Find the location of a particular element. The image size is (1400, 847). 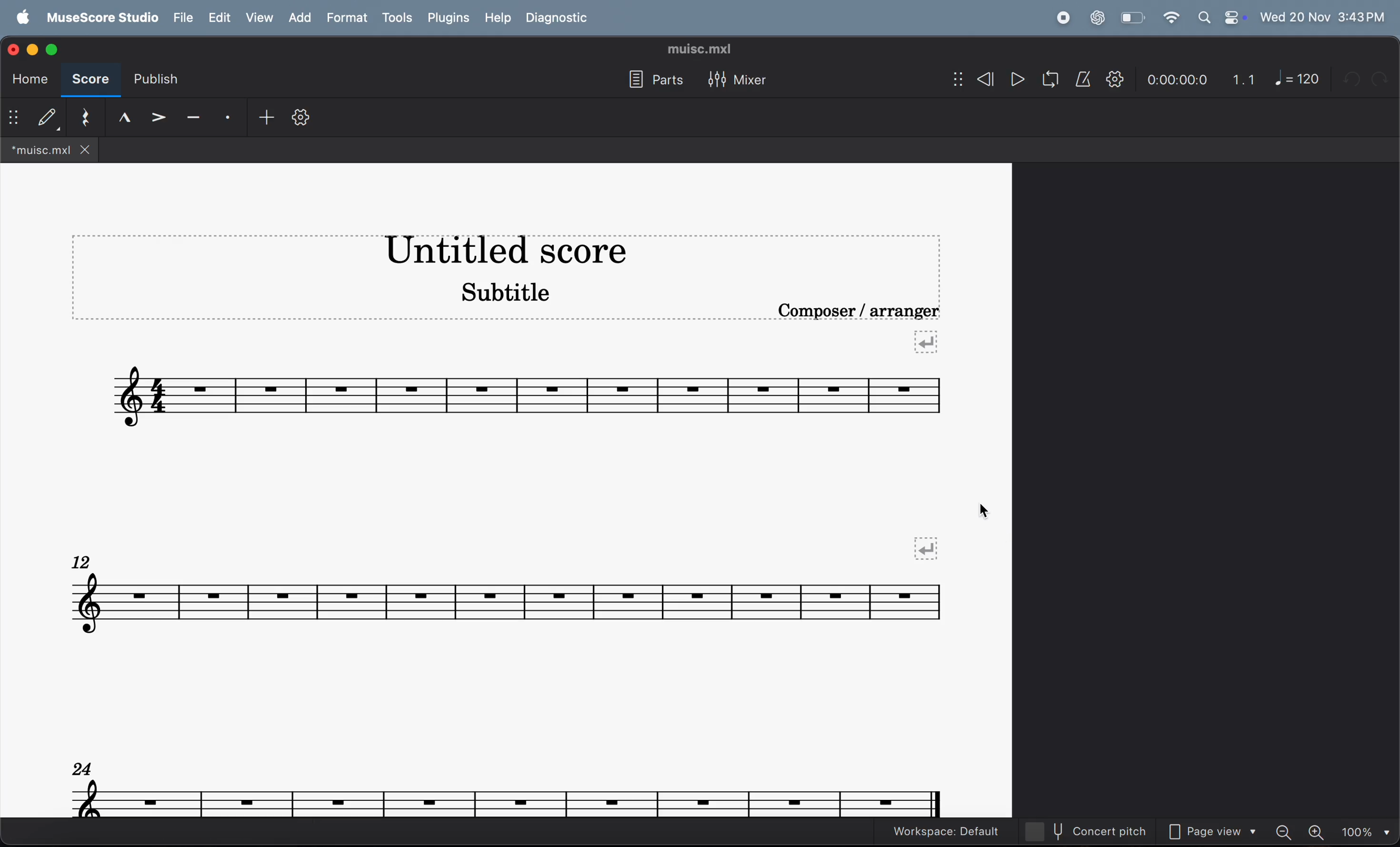

chatgpt is located at coordinates (1095, 18).